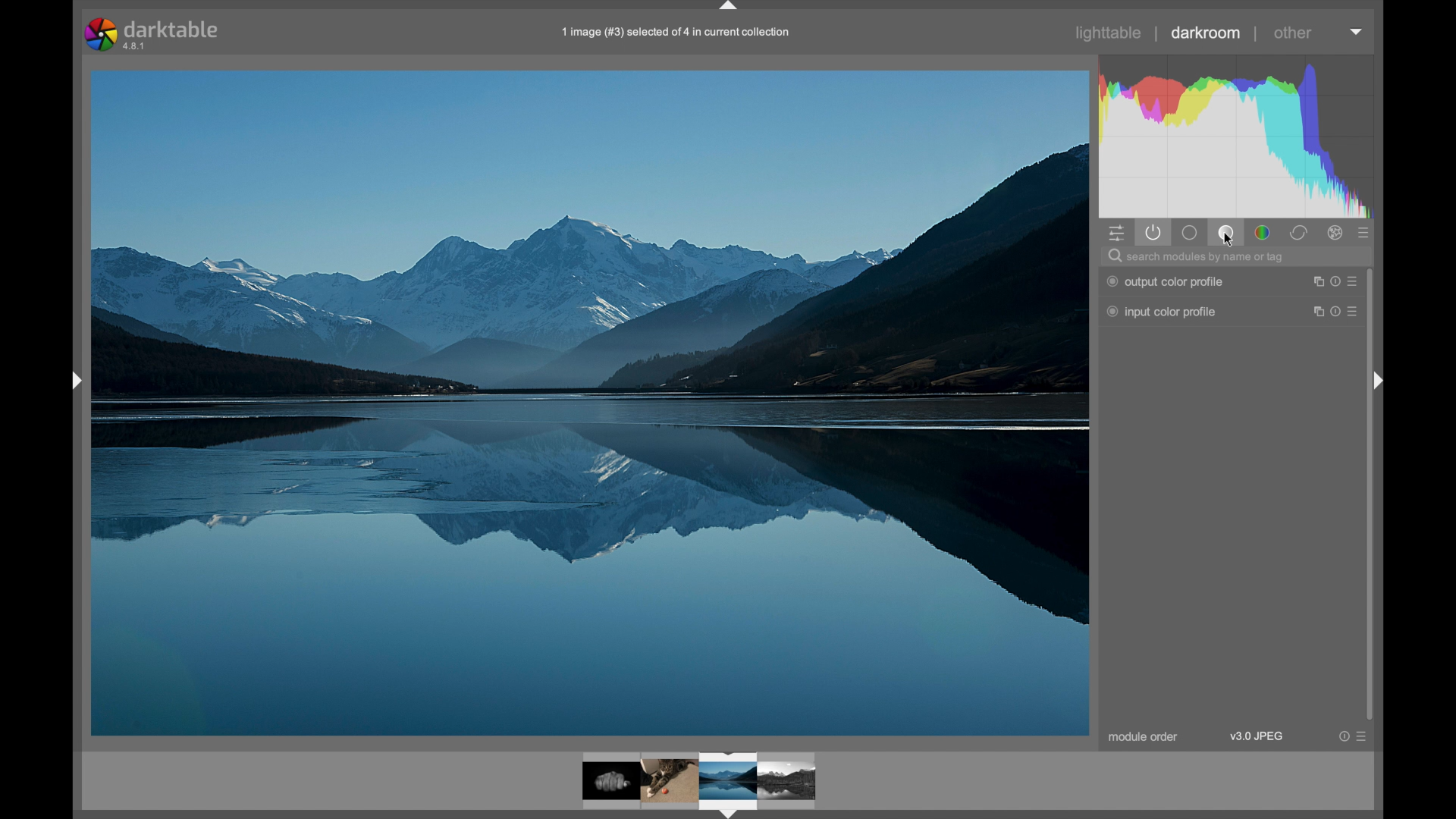  What do you see at coordinates (1118, 234) in the screenshot?
I see `quick access panel` at bounding box center [1118, 234].